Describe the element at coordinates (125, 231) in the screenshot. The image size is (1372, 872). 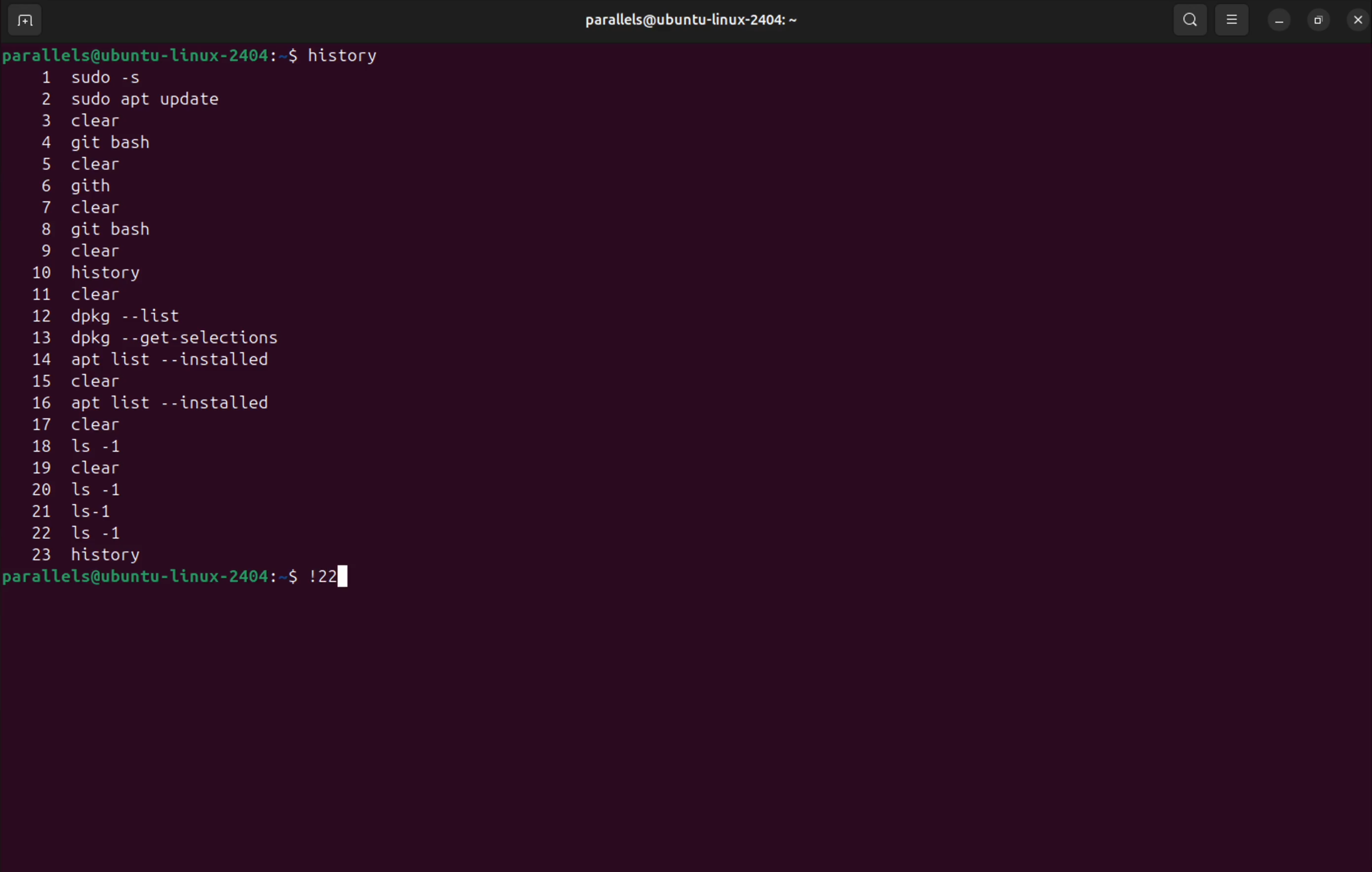
I see `8 git bash` at that location.